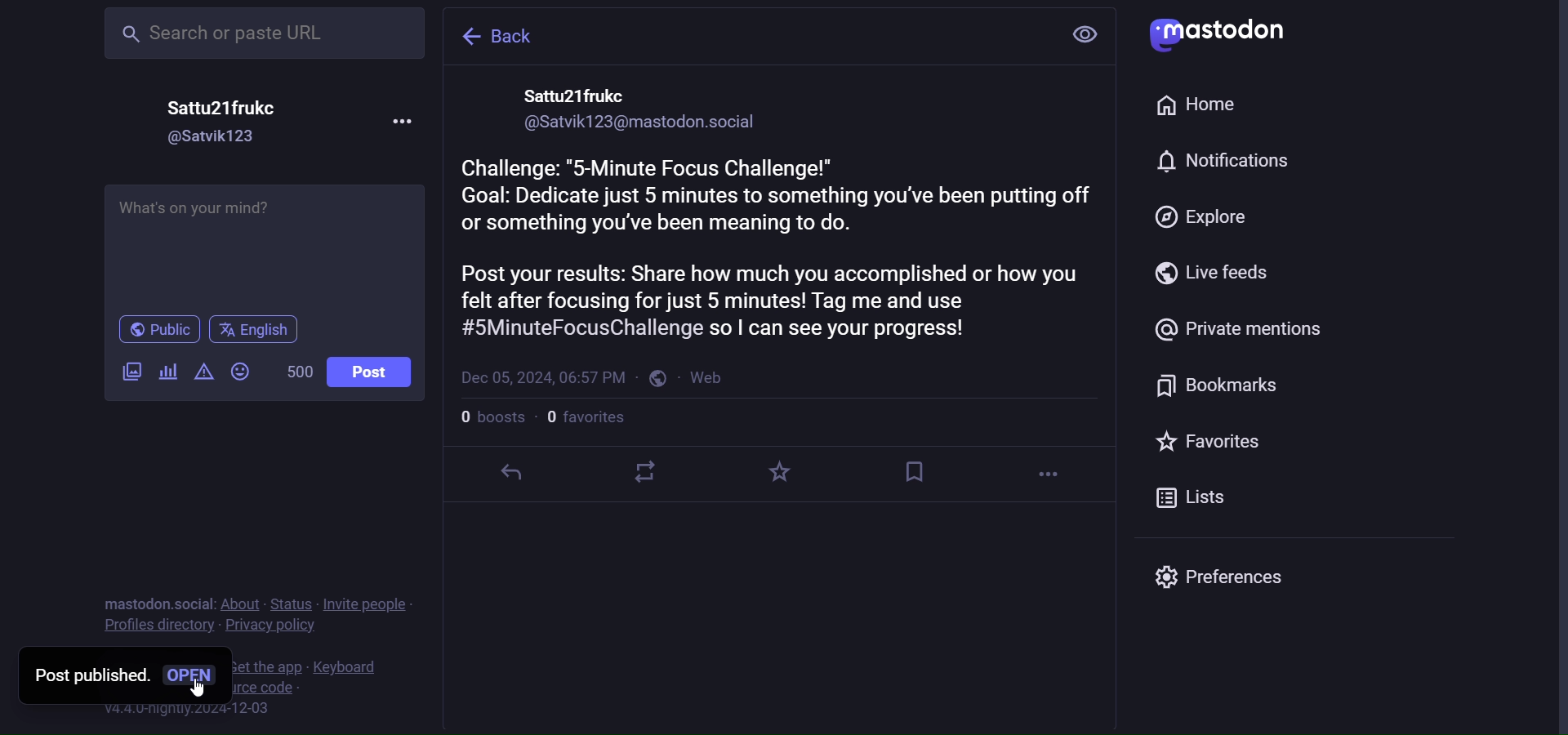 The width and height of the screenshot is (1568, 735). I want to click on private mention, so click(1234, 327).